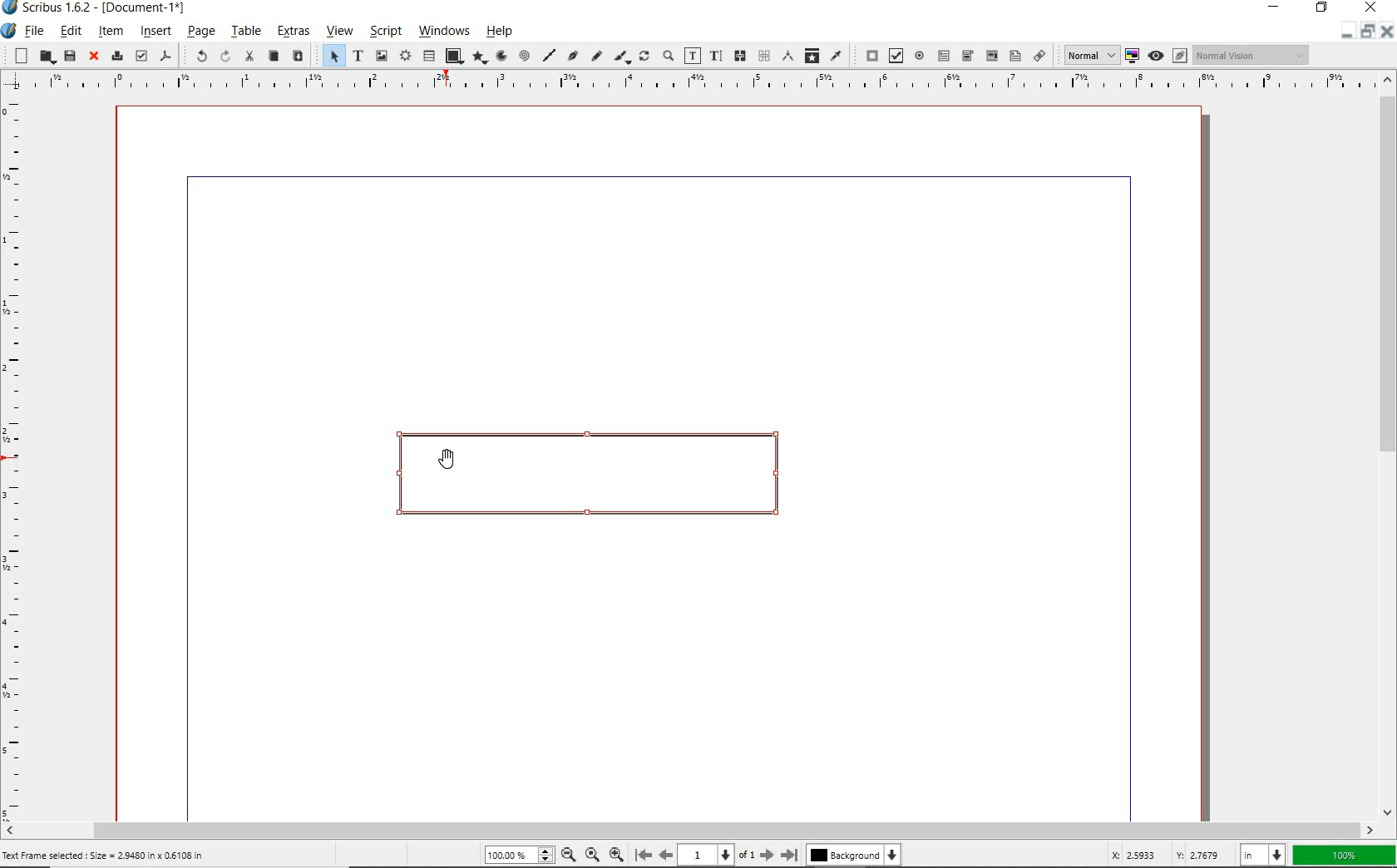 The width and height of the screenshot is (1397, 868). What do you see at coordinates (787, 855) in the screenshot?
I see `Last page` at bounding box center [787, 855].